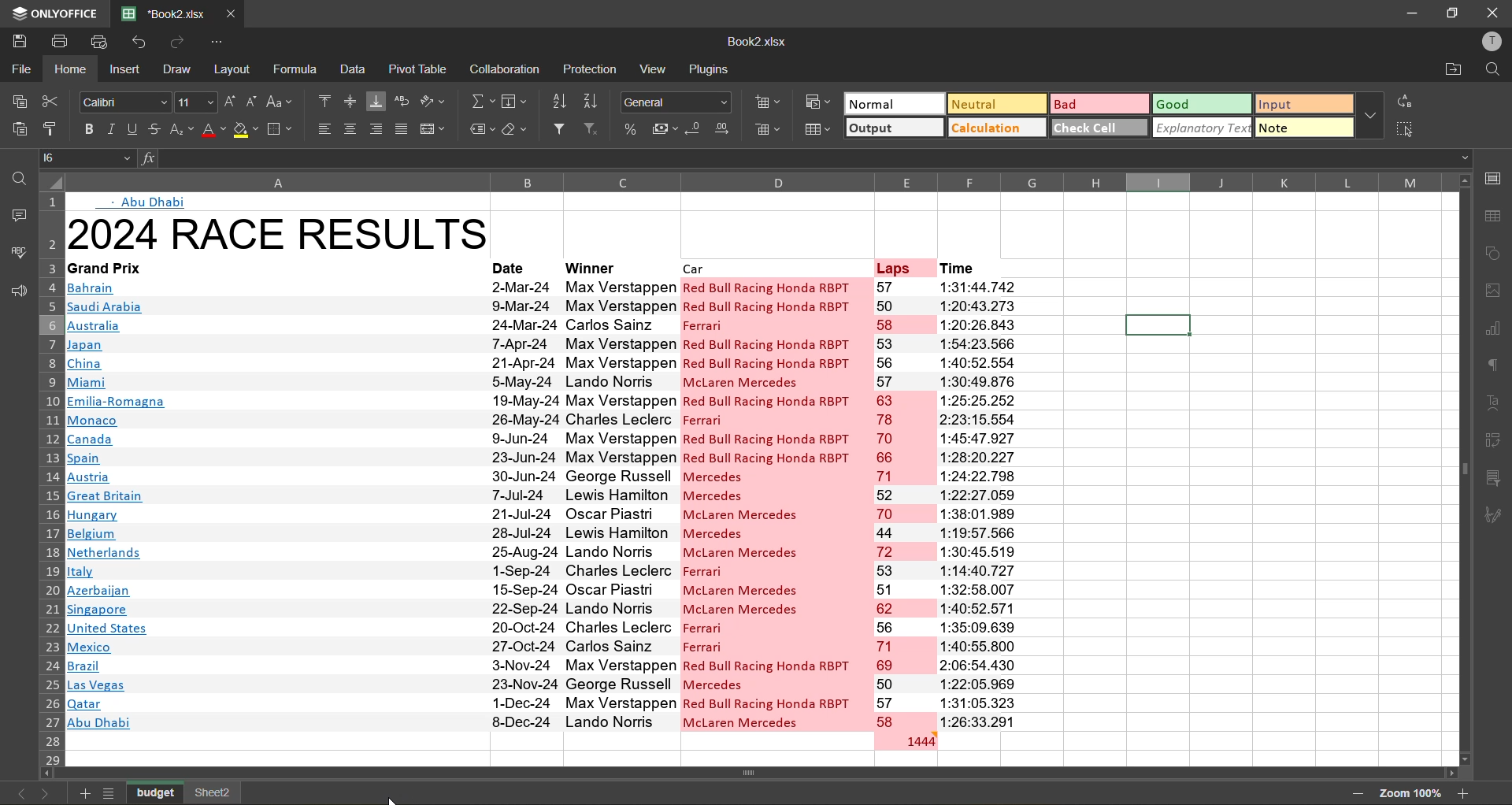  Describe the element at coordinates (127, 267) in the screenshot. I see `grand prix` at that location.